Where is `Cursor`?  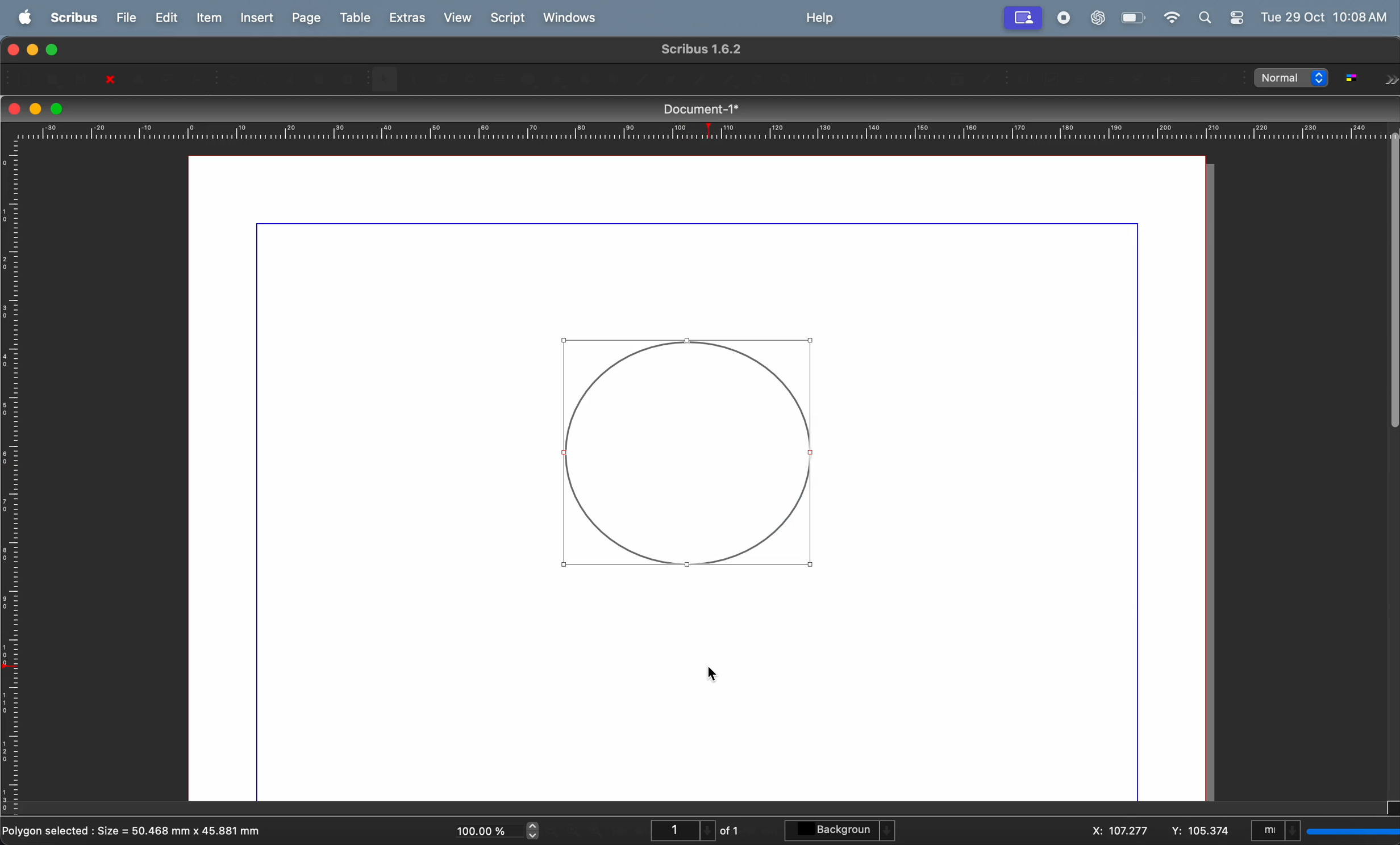
Cursor is located at coordinates (714, 675).